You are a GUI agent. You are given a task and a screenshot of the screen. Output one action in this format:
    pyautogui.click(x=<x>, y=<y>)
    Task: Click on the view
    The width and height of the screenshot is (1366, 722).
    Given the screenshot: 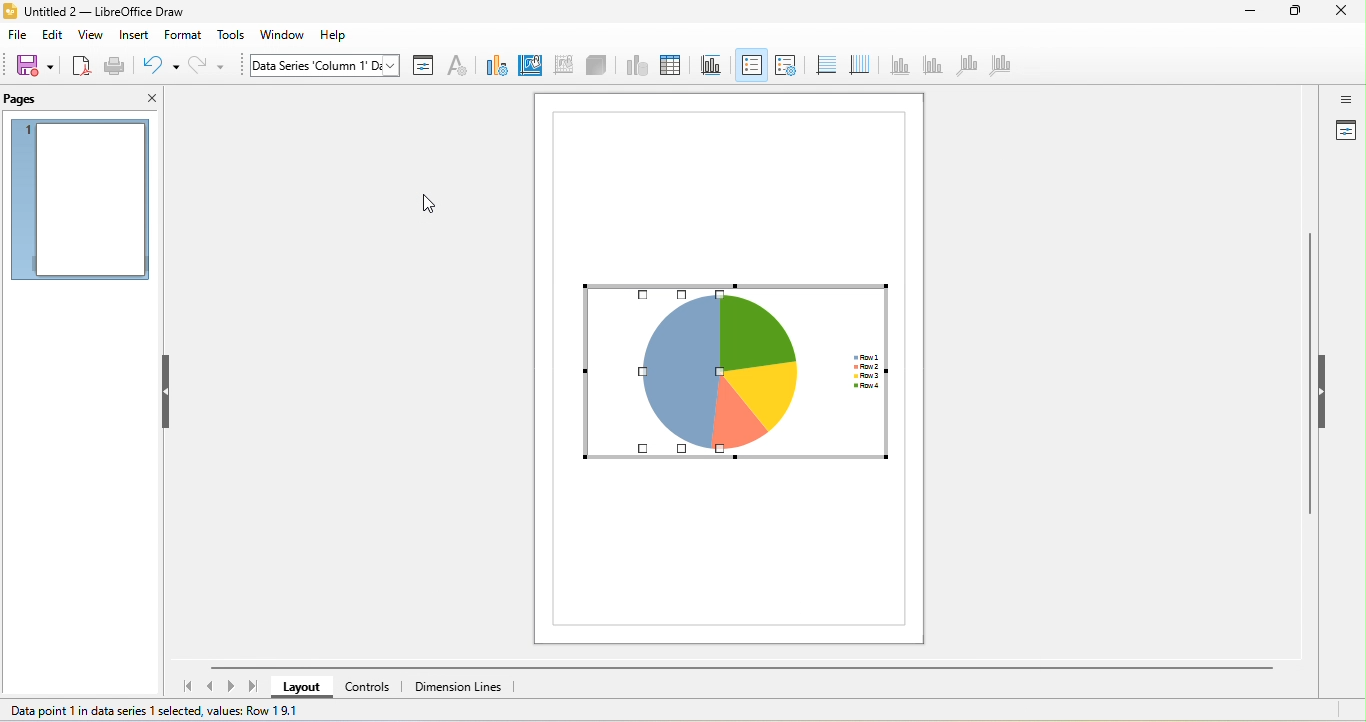 What is the action you would take?
    pyautogui.click(x=91, y=36)
    